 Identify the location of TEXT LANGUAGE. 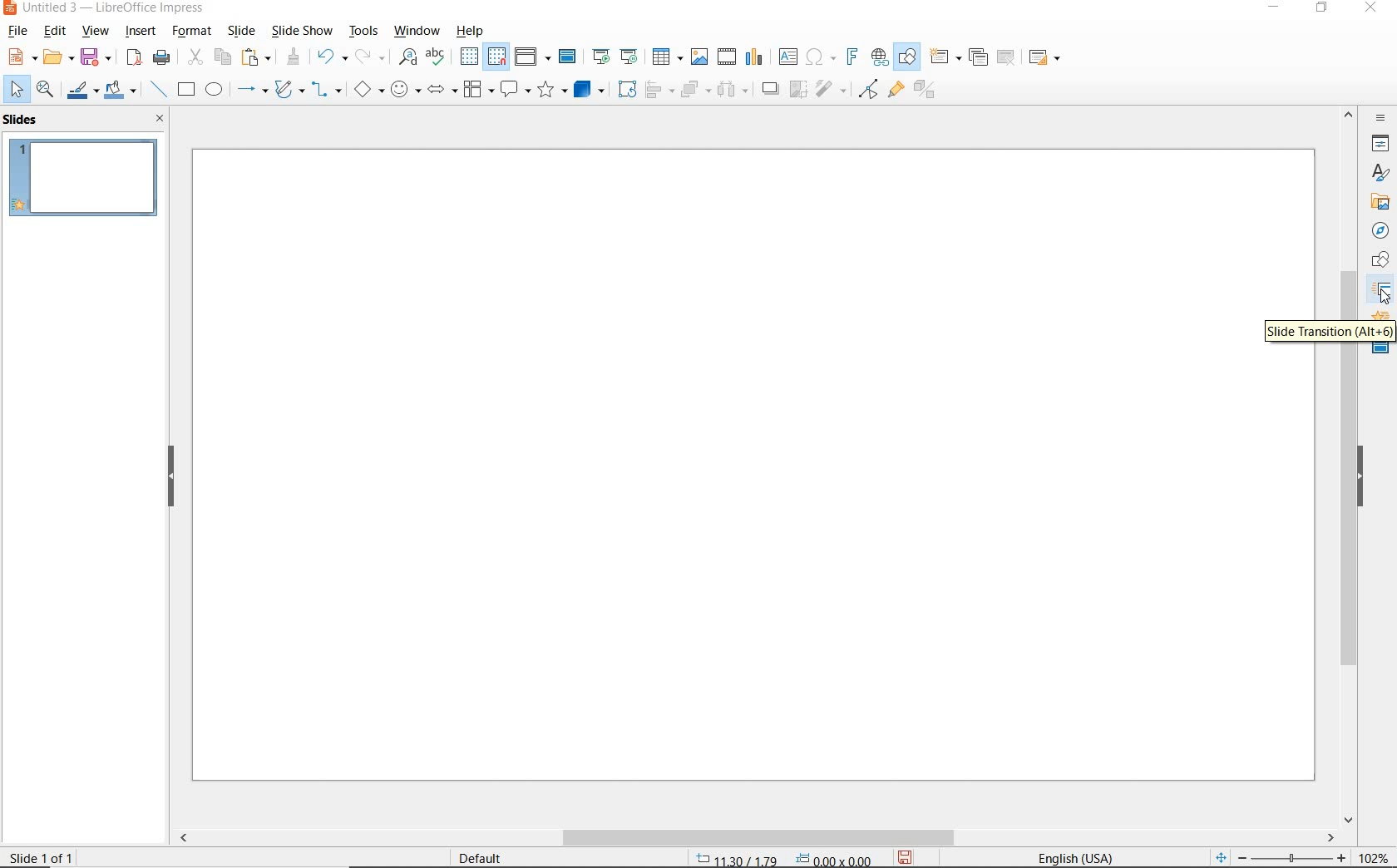
(1074, 856).